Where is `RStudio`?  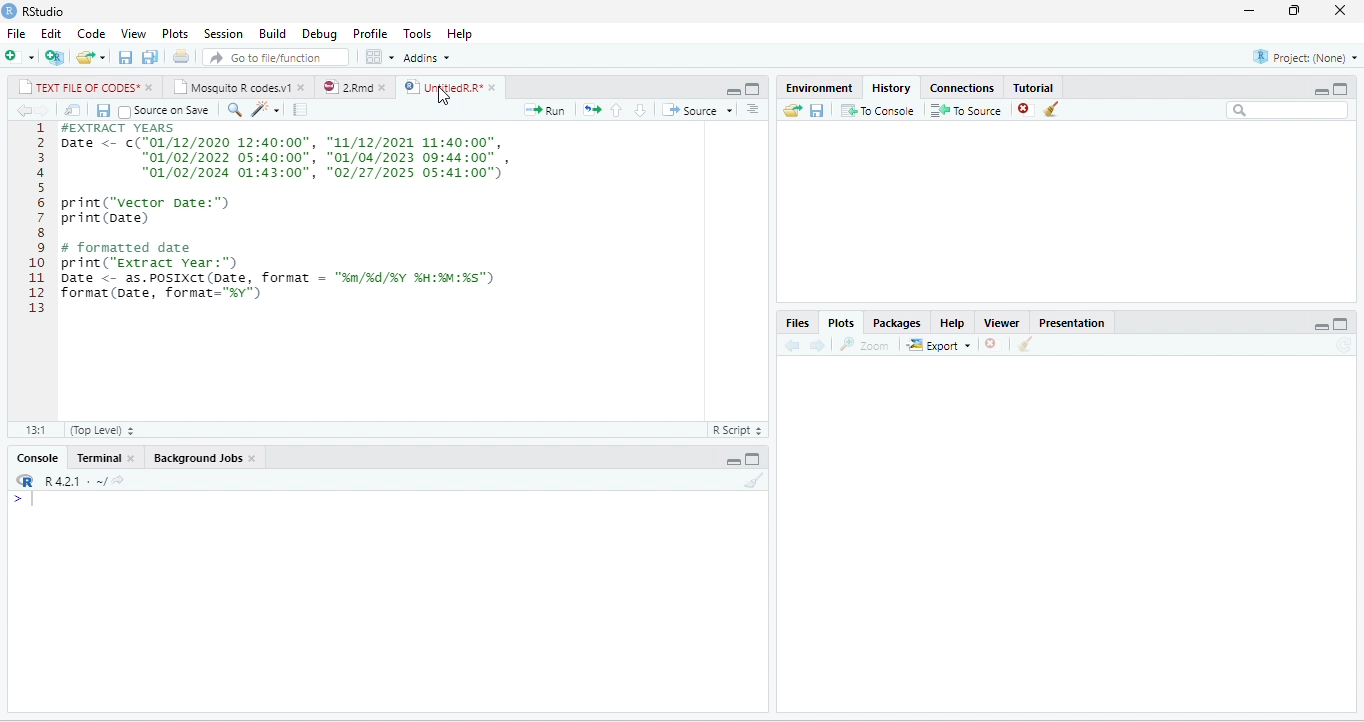
RStudio is located at coordinates (46, 12).